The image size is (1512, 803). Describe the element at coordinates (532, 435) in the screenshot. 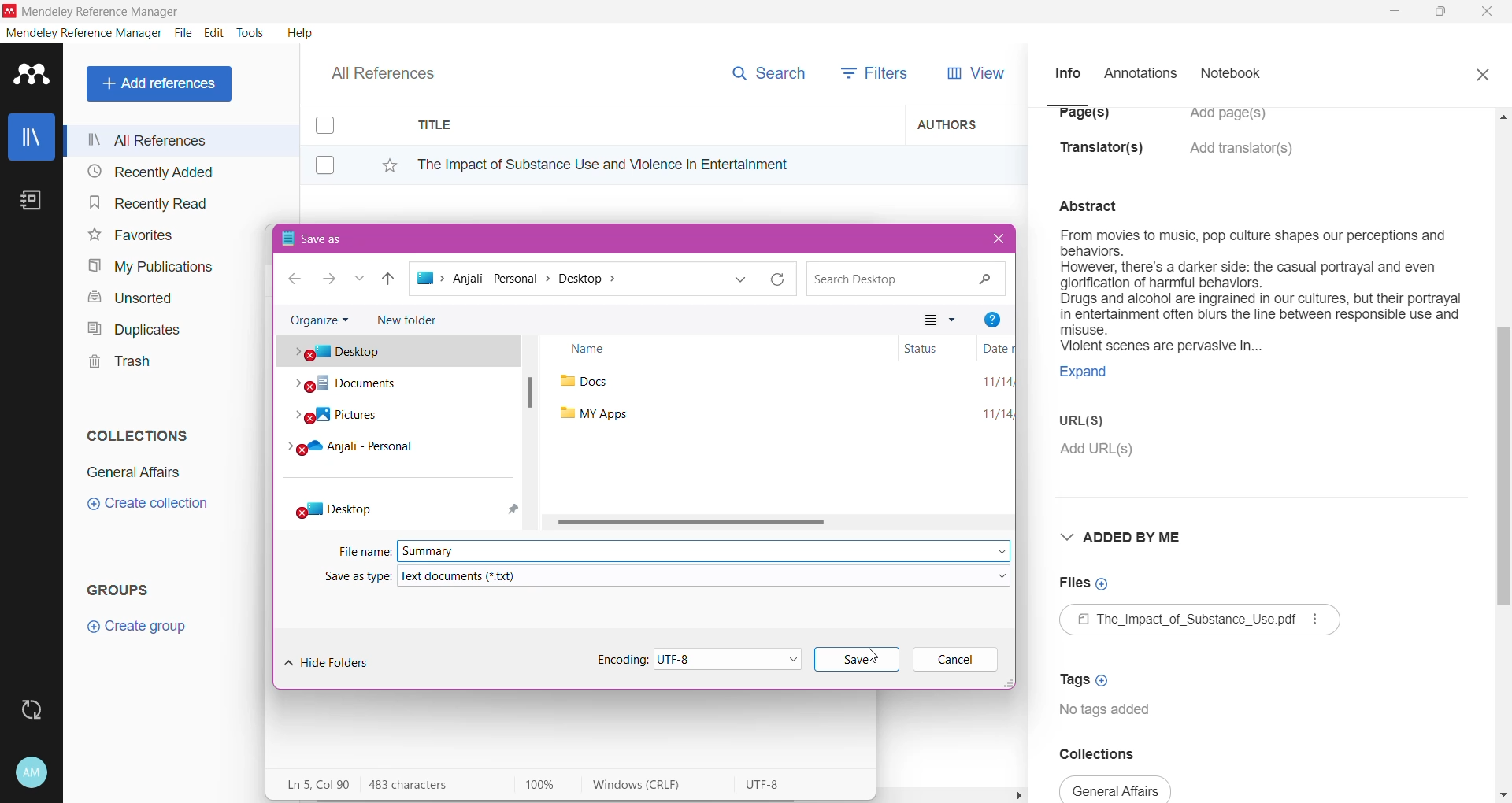

I see `Vertical Scroll Bar` at that location.